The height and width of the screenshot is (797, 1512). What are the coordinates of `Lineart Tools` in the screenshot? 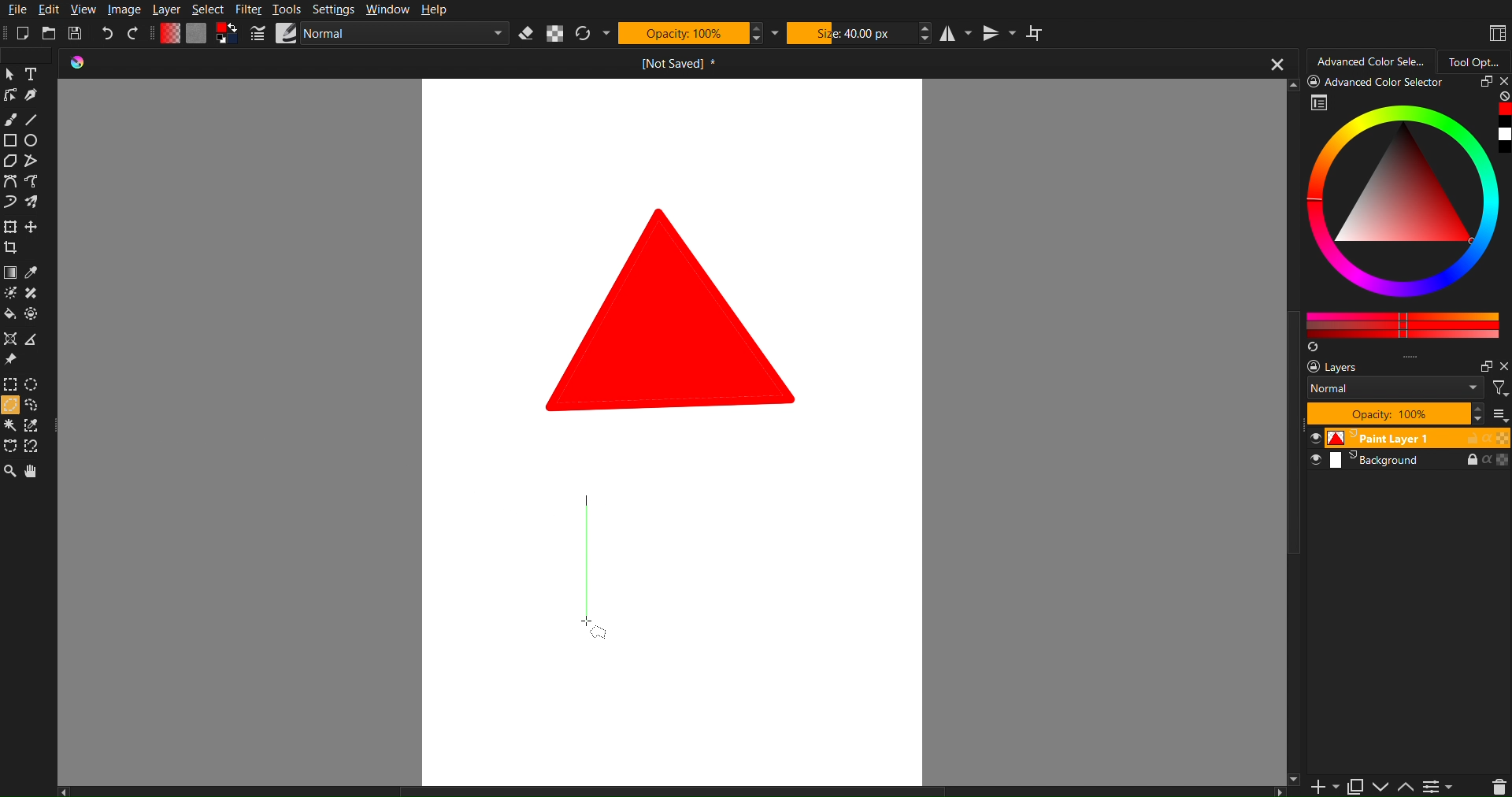 It's located at (9, 97).